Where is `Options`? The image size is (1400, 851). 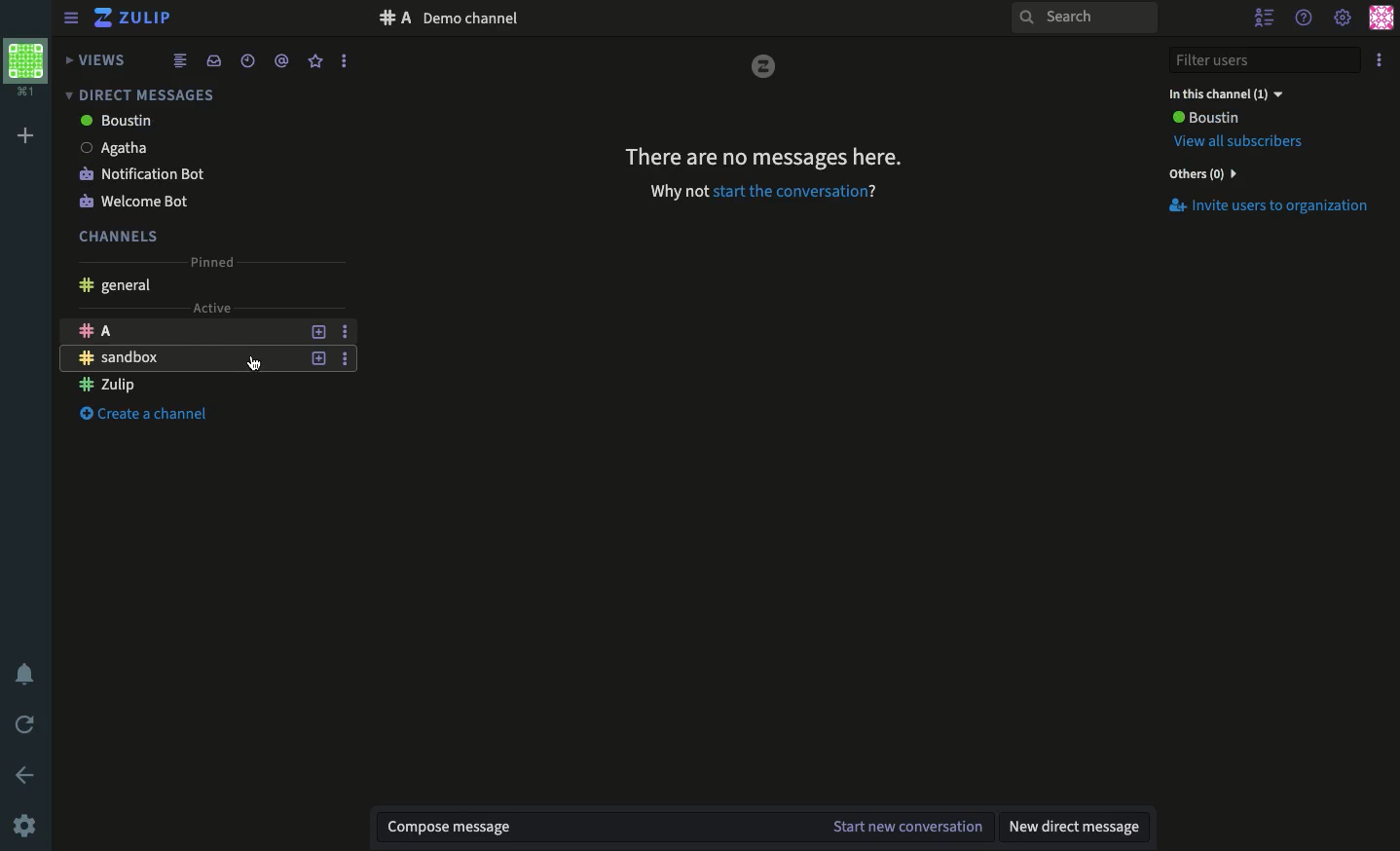
Options is located at coordinates (345, 330).